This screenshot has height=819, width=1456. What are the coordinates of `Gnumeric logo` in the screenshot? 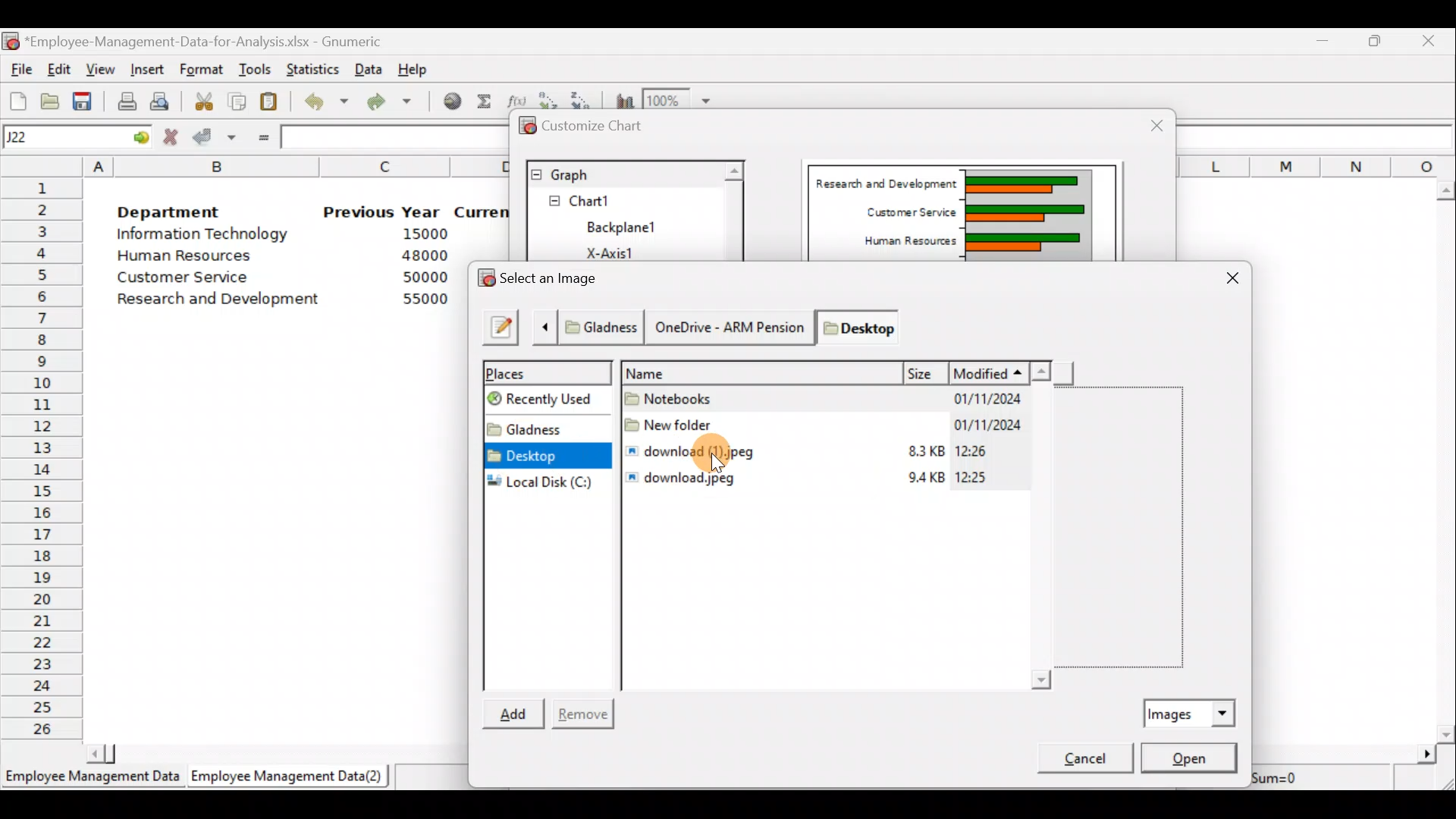 It's located at (12, 41).